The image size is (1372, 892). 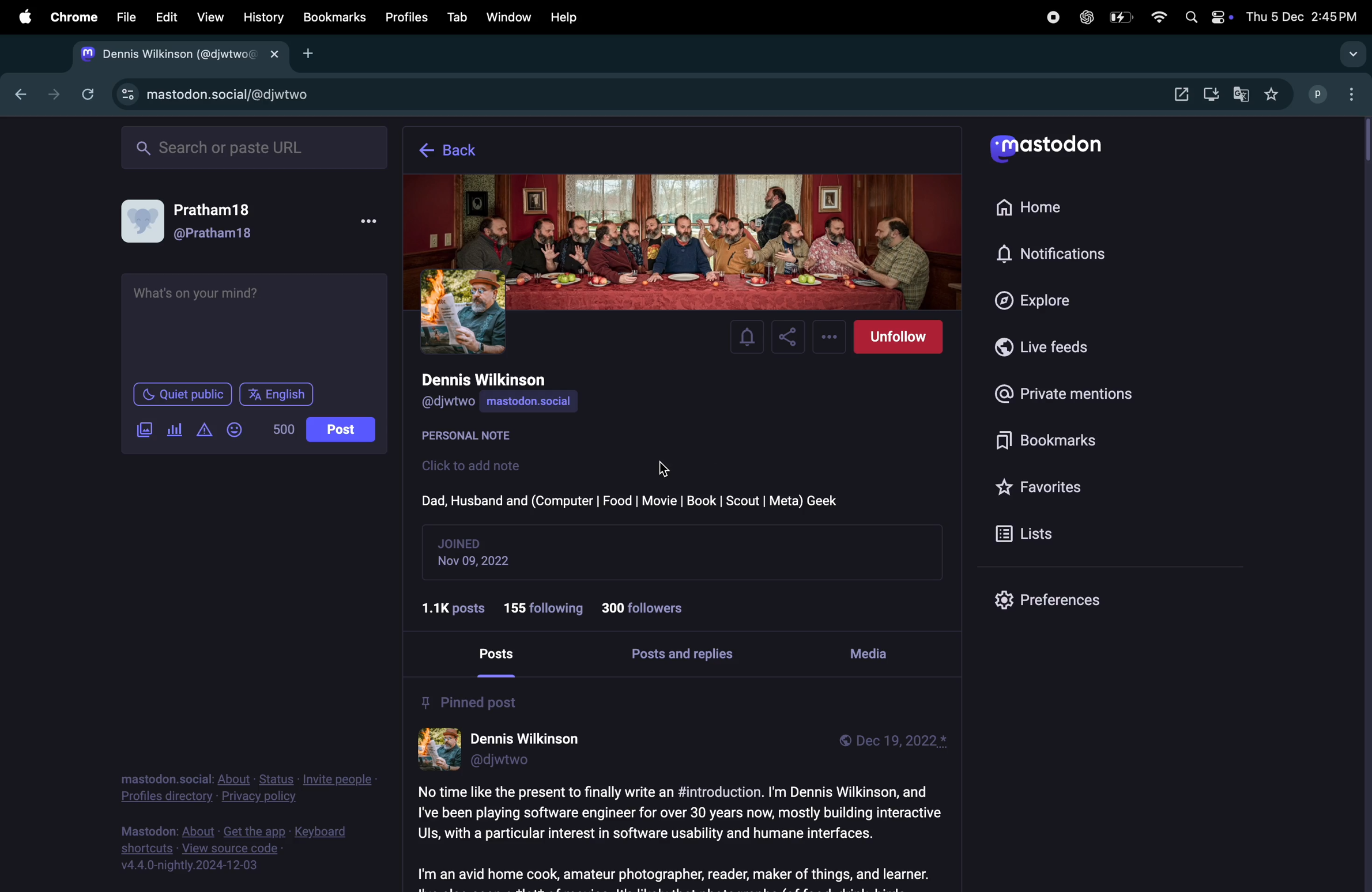 I want to click on 500, so click(x=282, y=429).